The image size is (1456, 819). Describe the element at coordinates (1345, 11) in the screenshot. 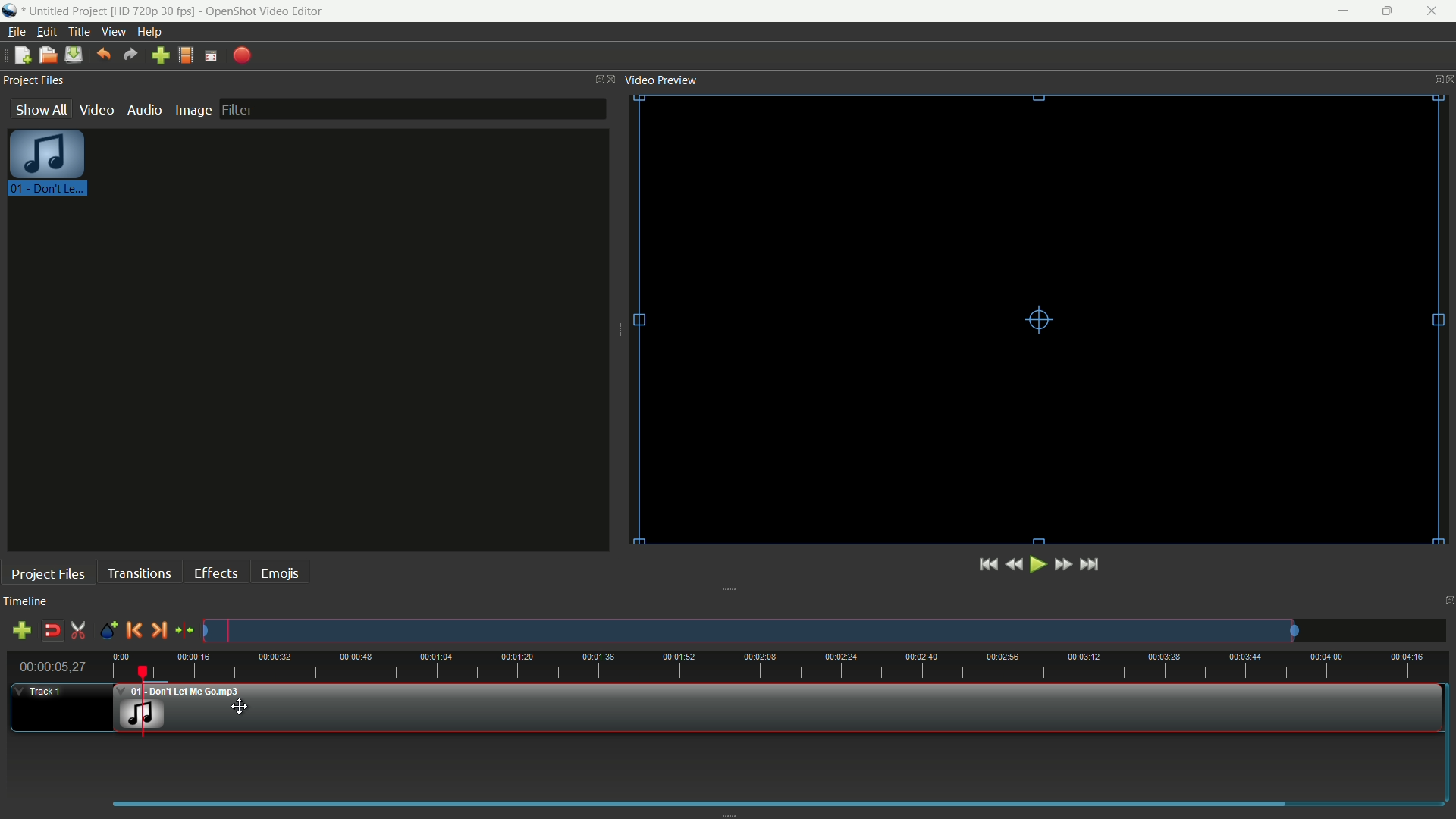

I see `minimize` at that location.